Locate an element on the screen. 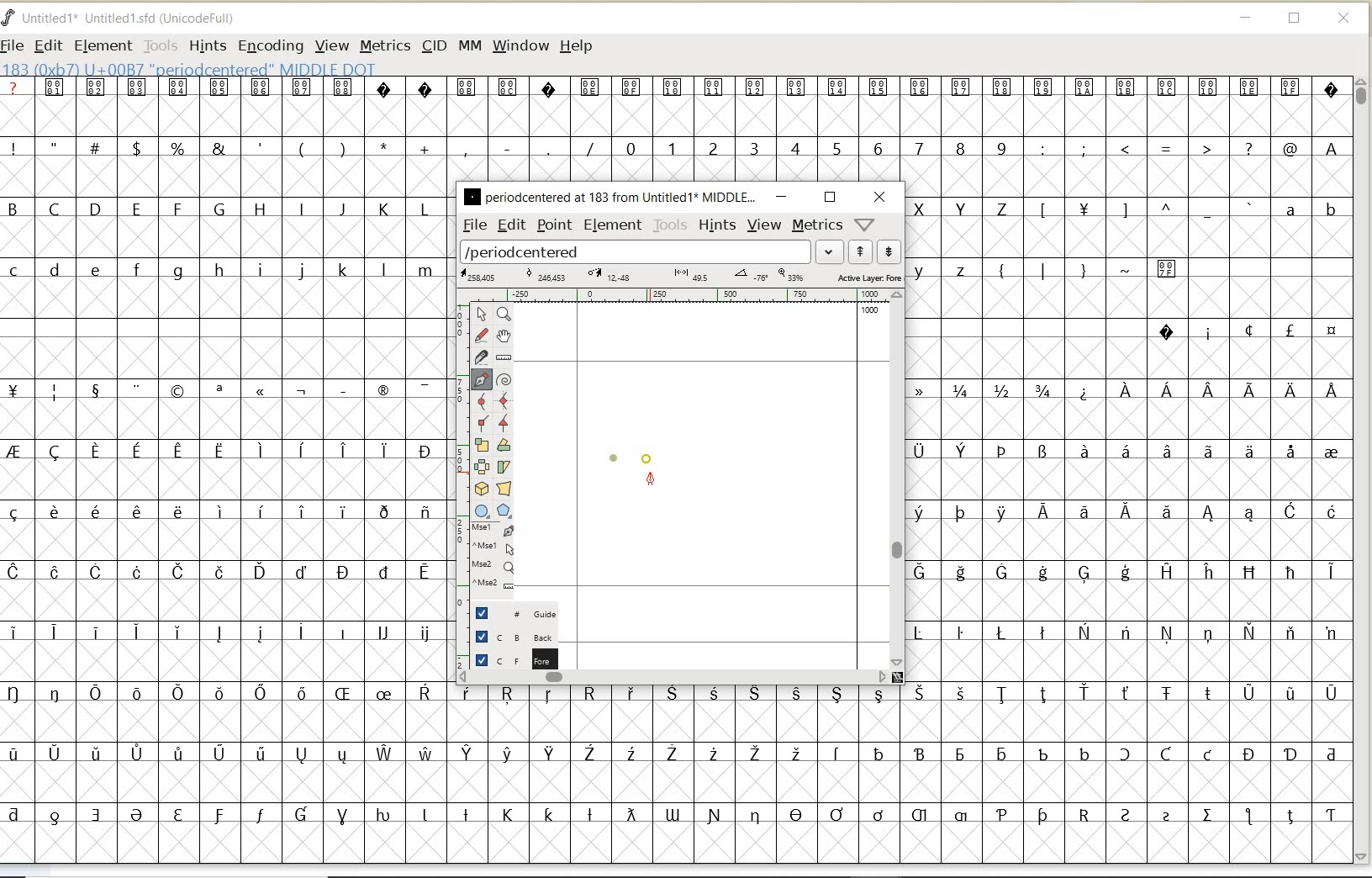  polygon or star is located at coordinates (506, 511).